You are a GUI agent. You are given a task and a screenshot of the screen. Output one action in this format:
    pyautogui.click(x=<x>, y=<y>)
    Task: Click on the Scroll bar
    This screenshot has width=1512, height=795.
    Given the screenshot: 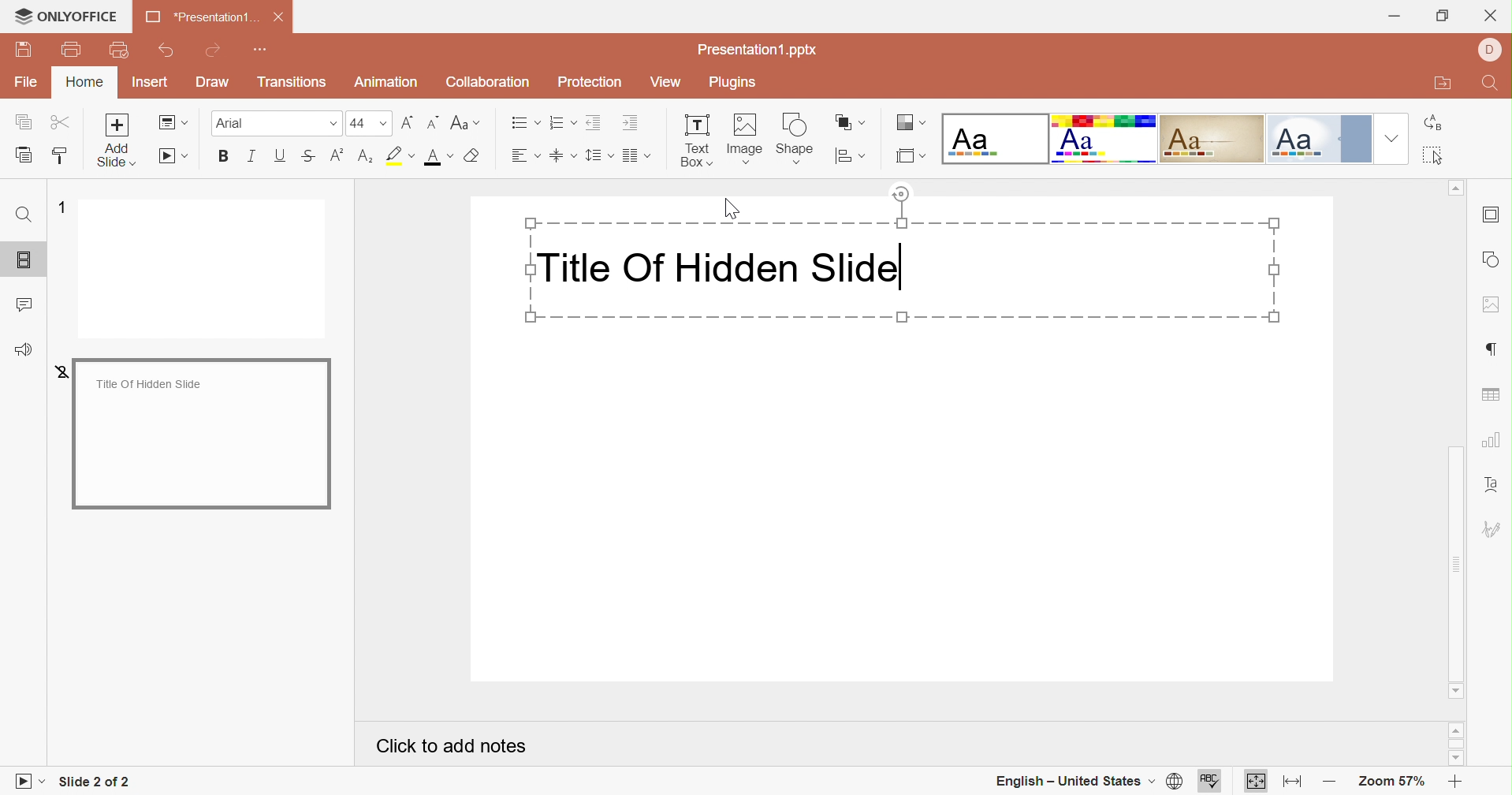 What is the action you would take?
    pyautogui.click(x=1455, y=744)
    